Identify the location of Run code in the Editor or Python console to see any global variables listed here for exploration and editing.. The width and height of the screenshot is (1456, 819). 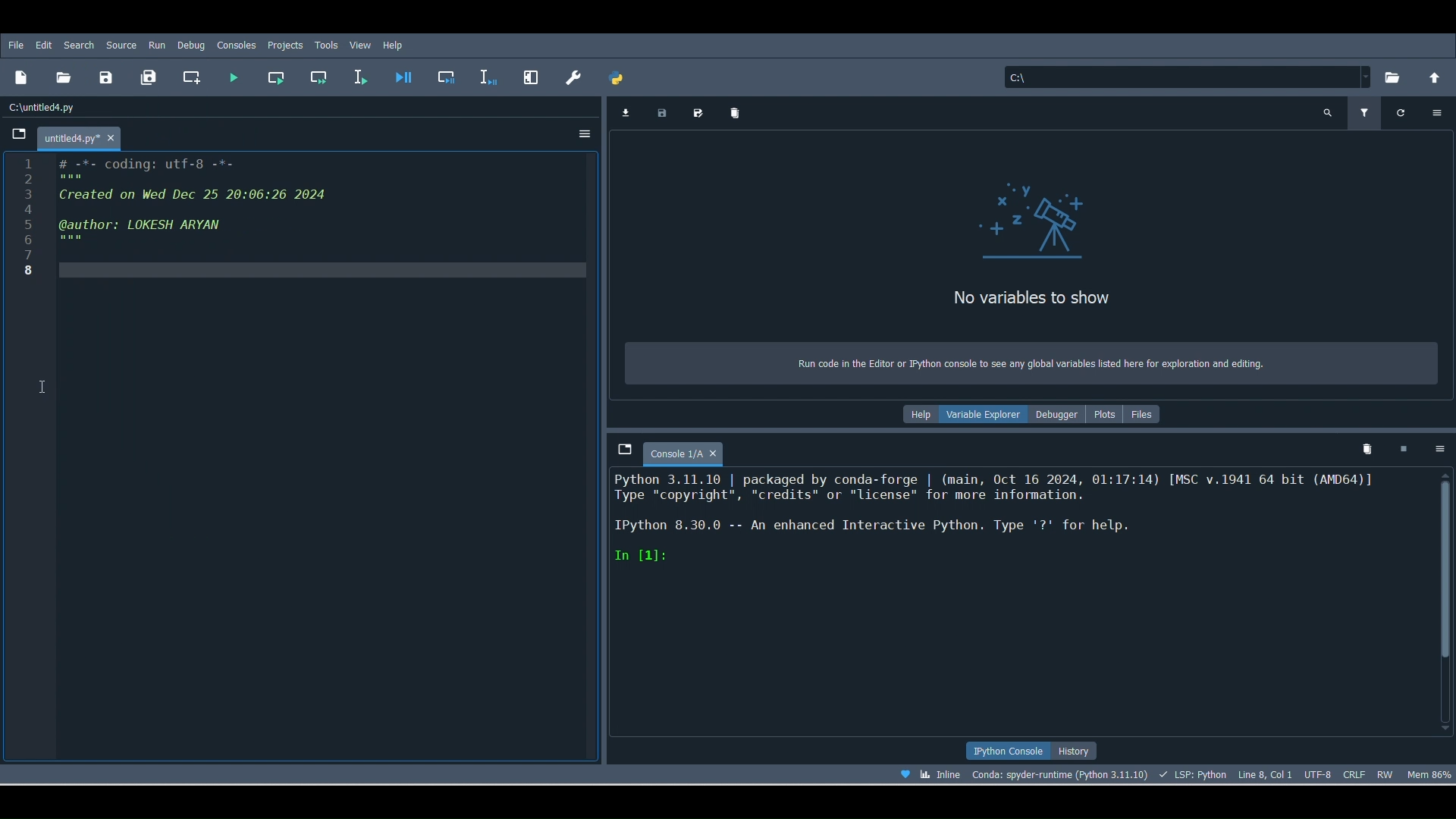
(1028, 361).